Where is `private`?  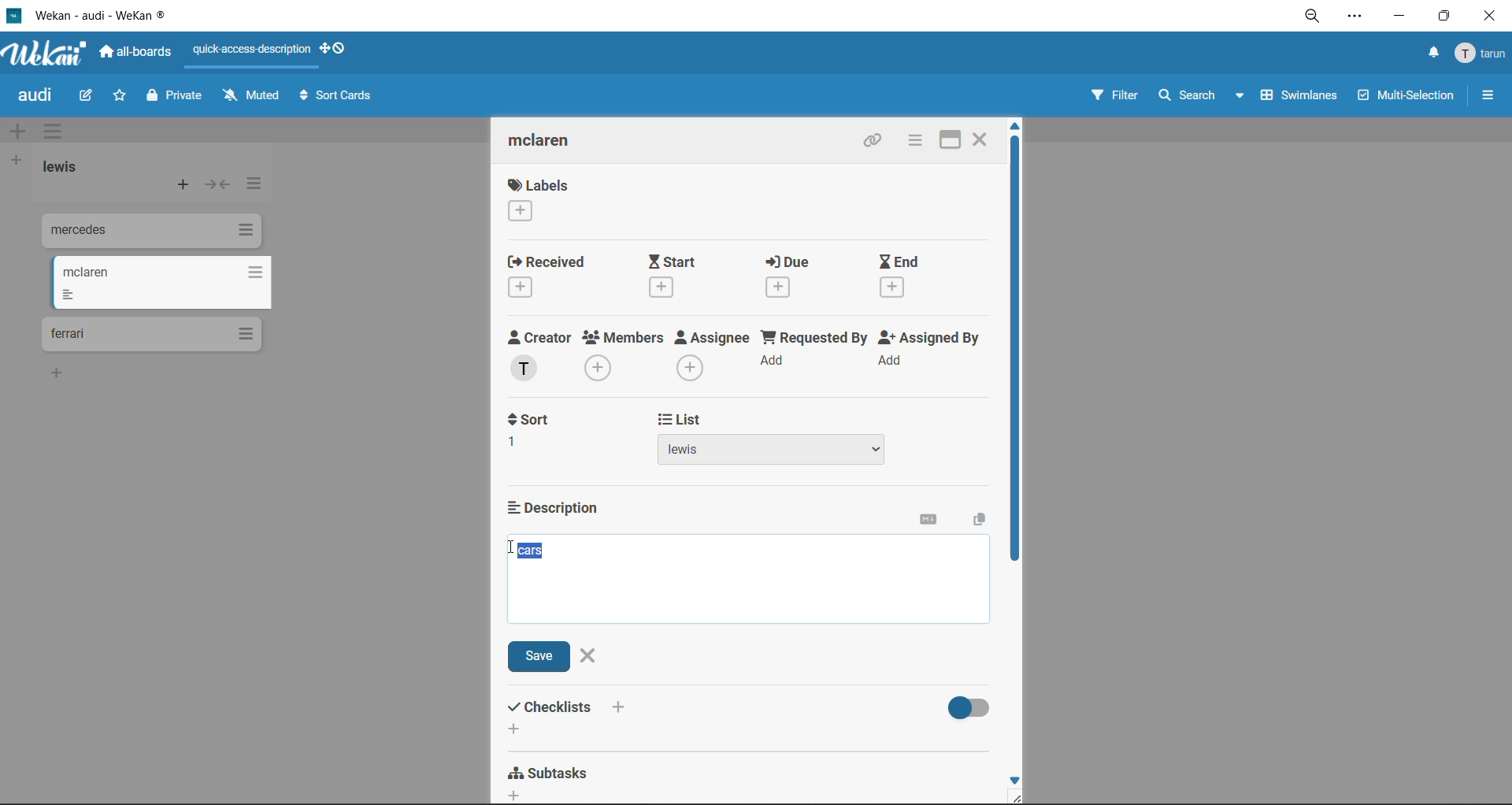 private is located at coordinates (177, 98).